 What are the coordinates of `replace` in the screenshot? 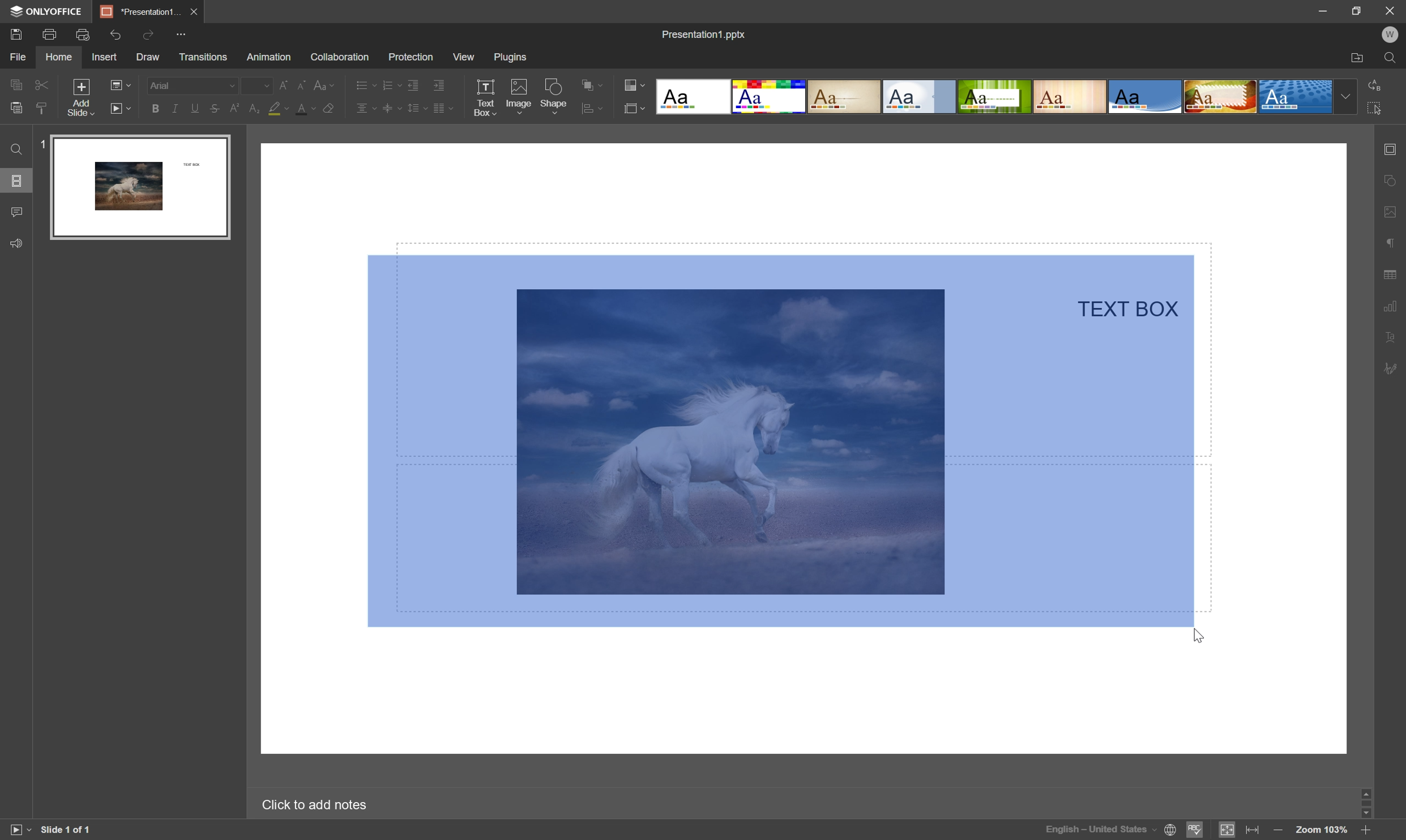 It's located at (1377, 84).